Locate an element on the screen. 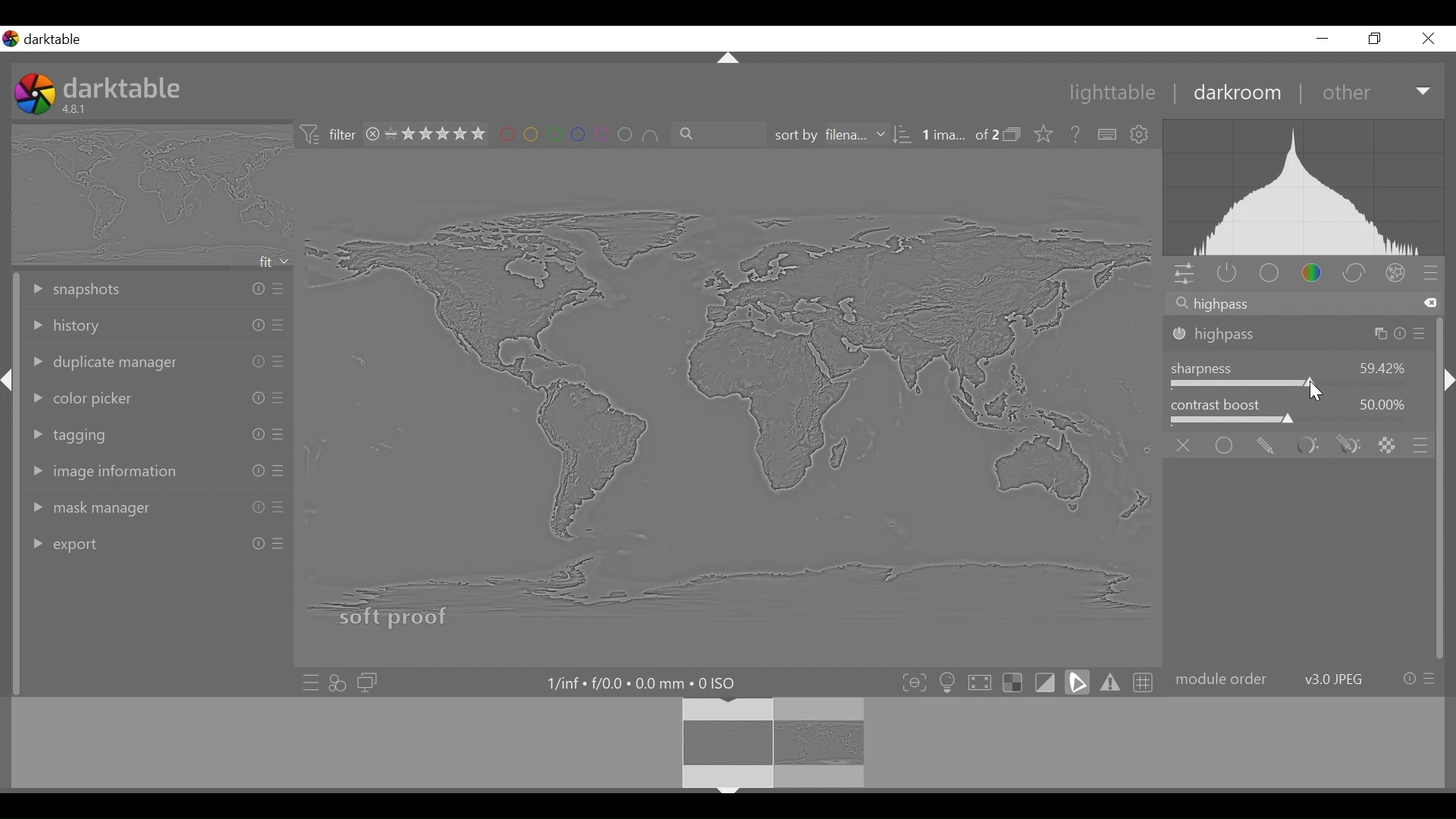  image preview is located at coordinates (149, 195).